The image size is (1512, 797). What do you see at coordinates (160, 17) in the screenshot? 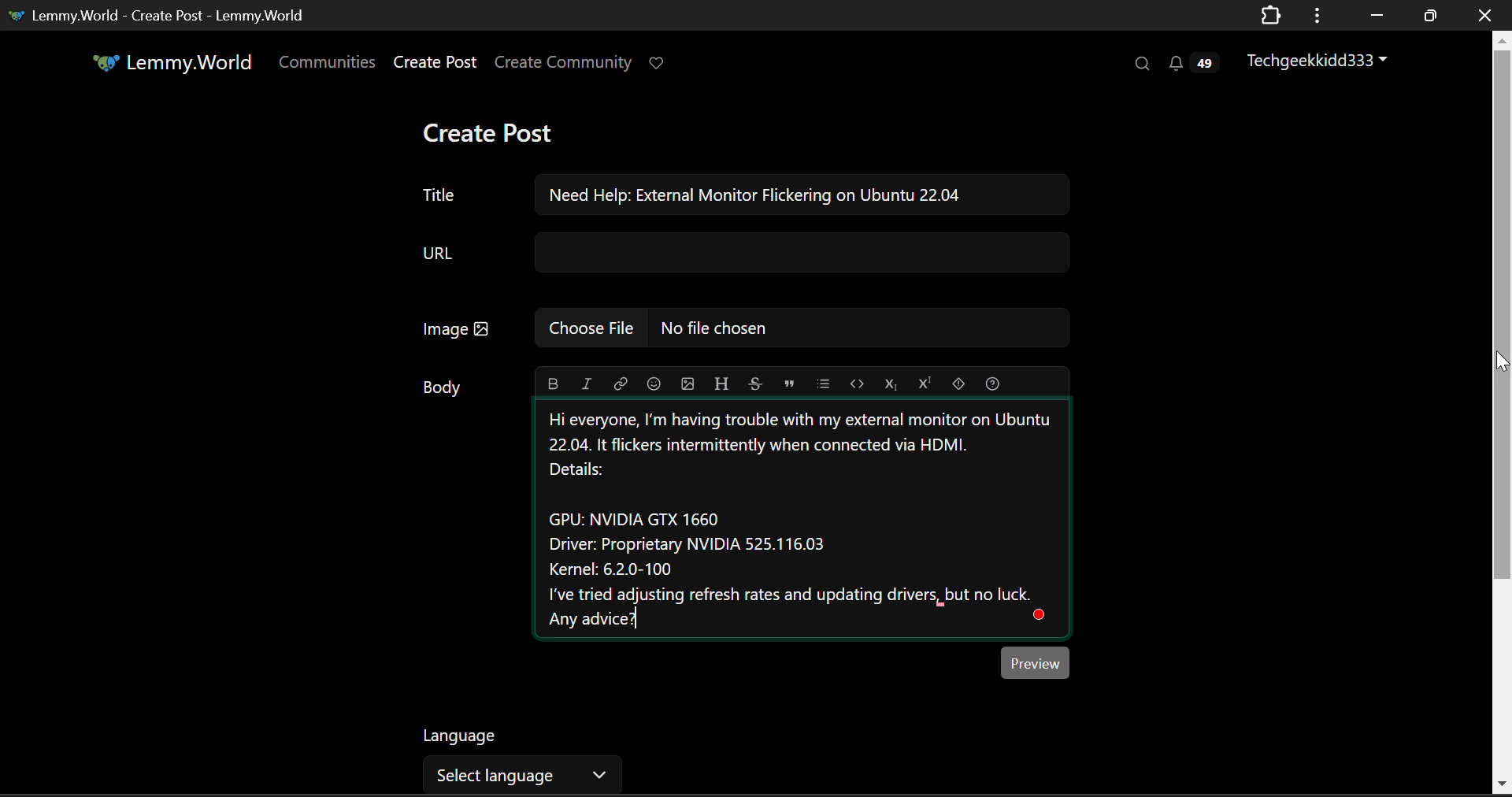
I see `Lemmy.World - Create Post - Lemmy.World` at bounding box center [160, 17].